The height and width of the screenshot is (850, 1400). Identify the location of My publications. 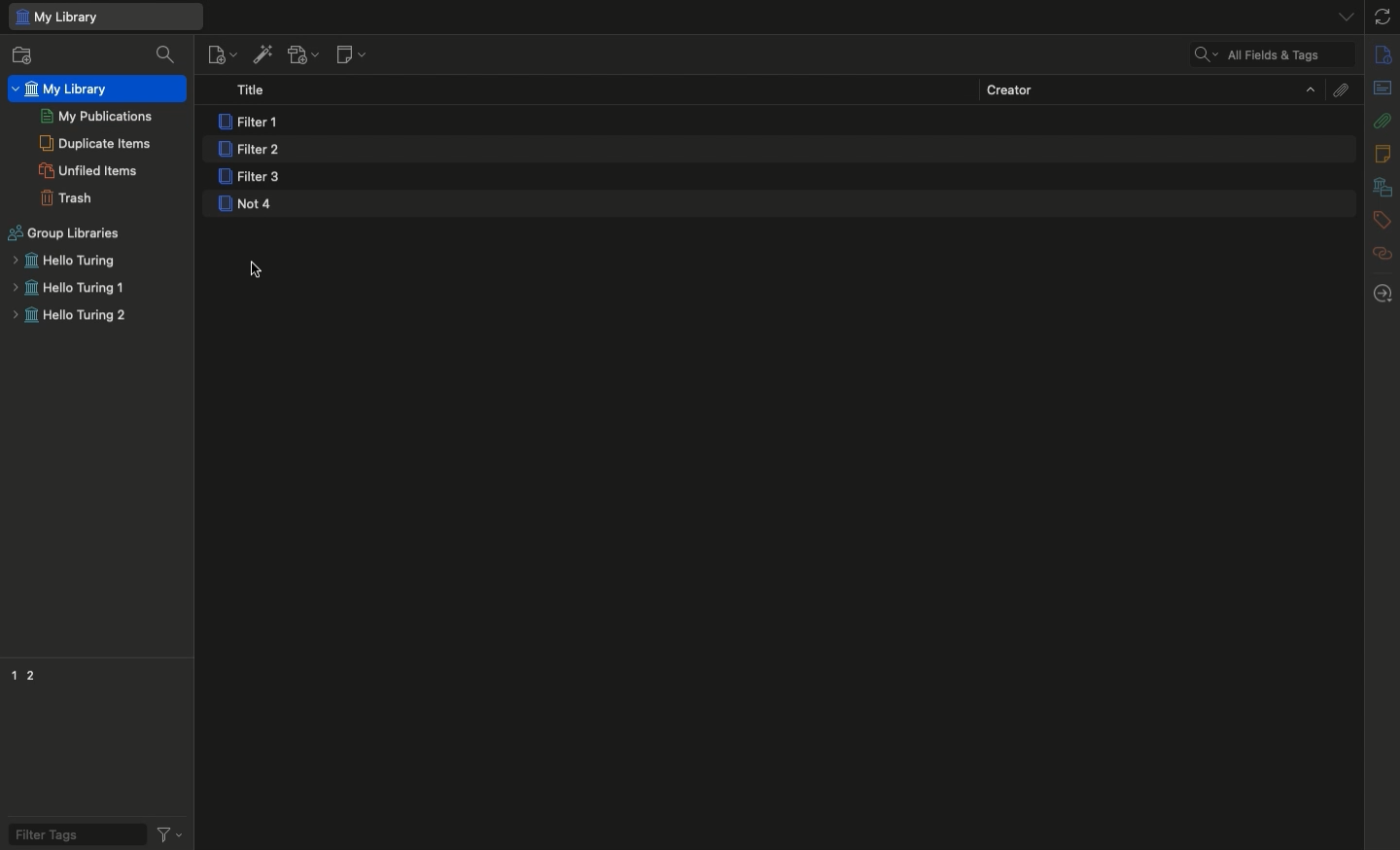
(96, 117).